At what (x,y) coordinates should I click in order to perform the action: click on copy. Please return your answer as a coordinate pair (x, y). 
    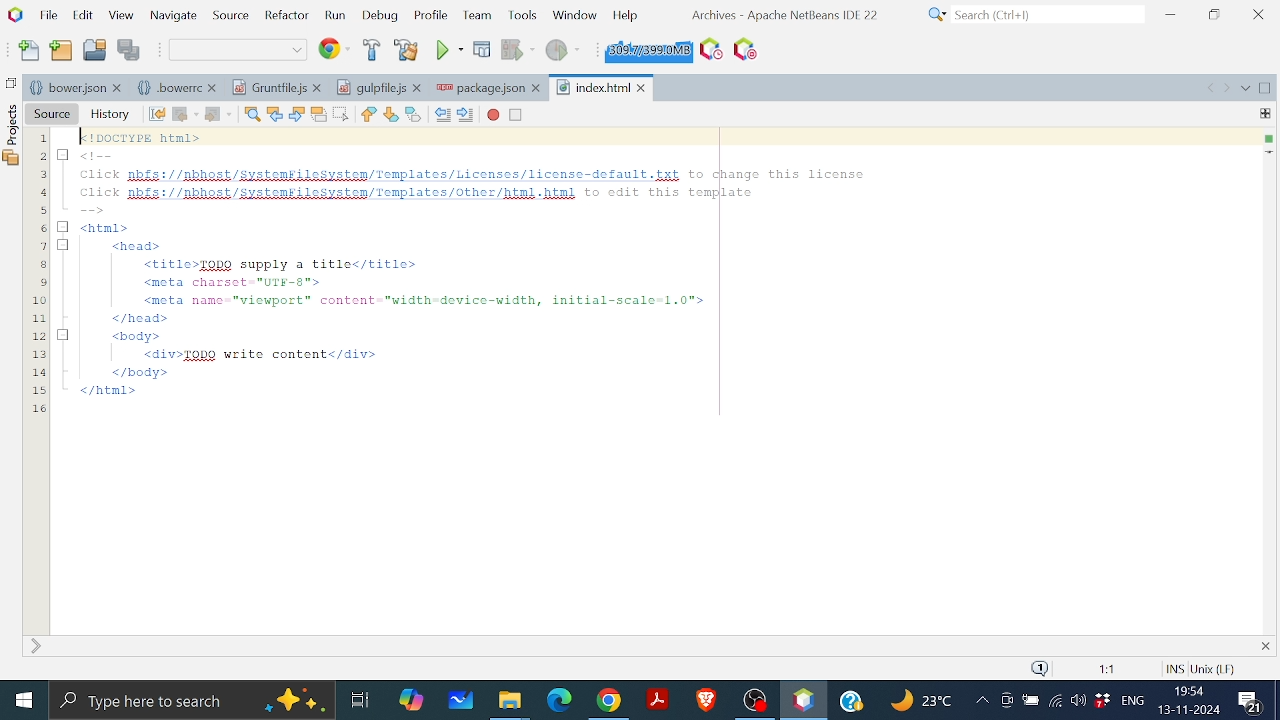
    Looking at the image, I should click on (13, 82).